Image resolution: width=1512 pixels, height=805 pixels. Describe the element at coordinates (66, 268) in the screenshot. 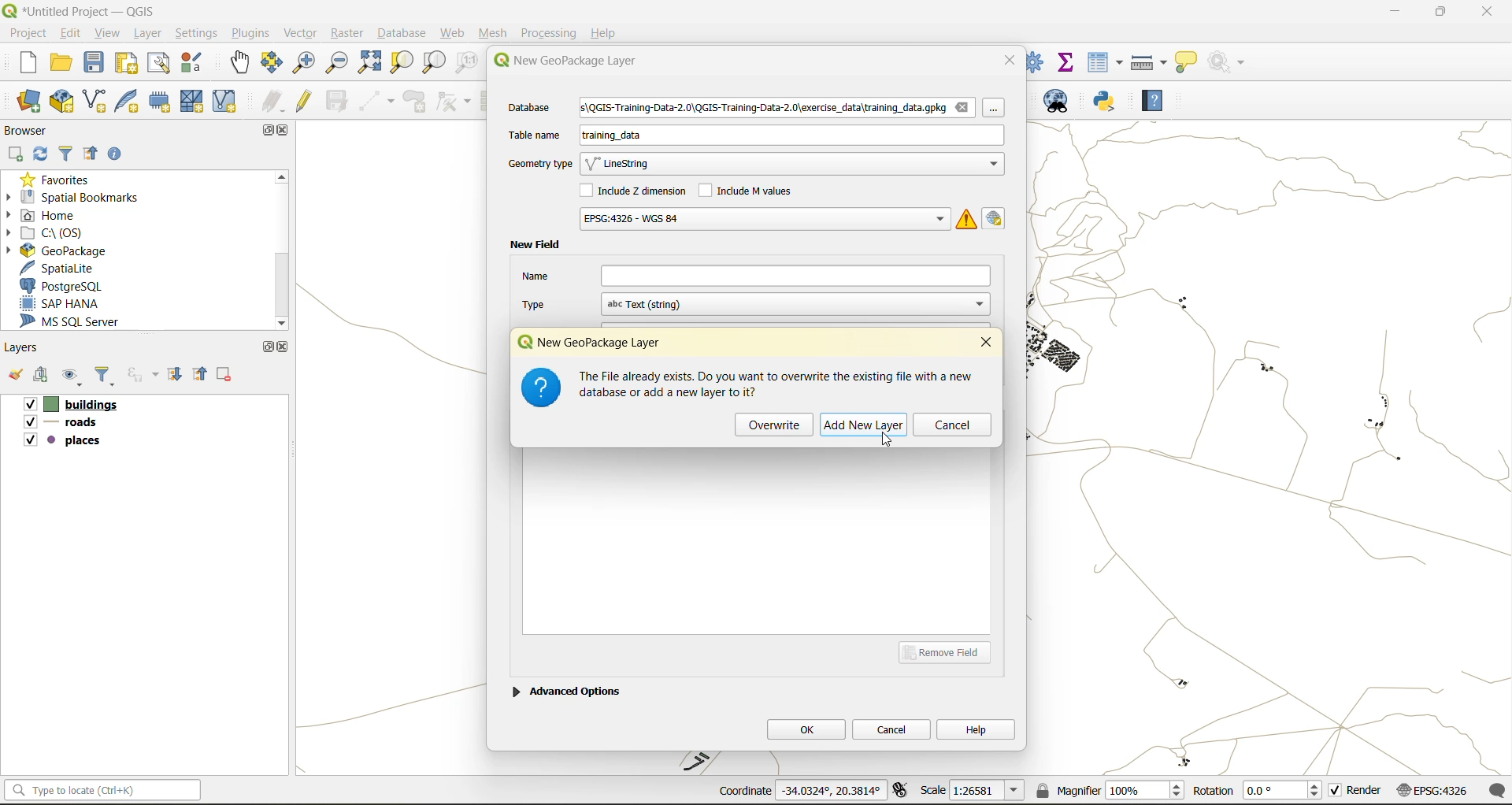

I see `spatialite` at that location.